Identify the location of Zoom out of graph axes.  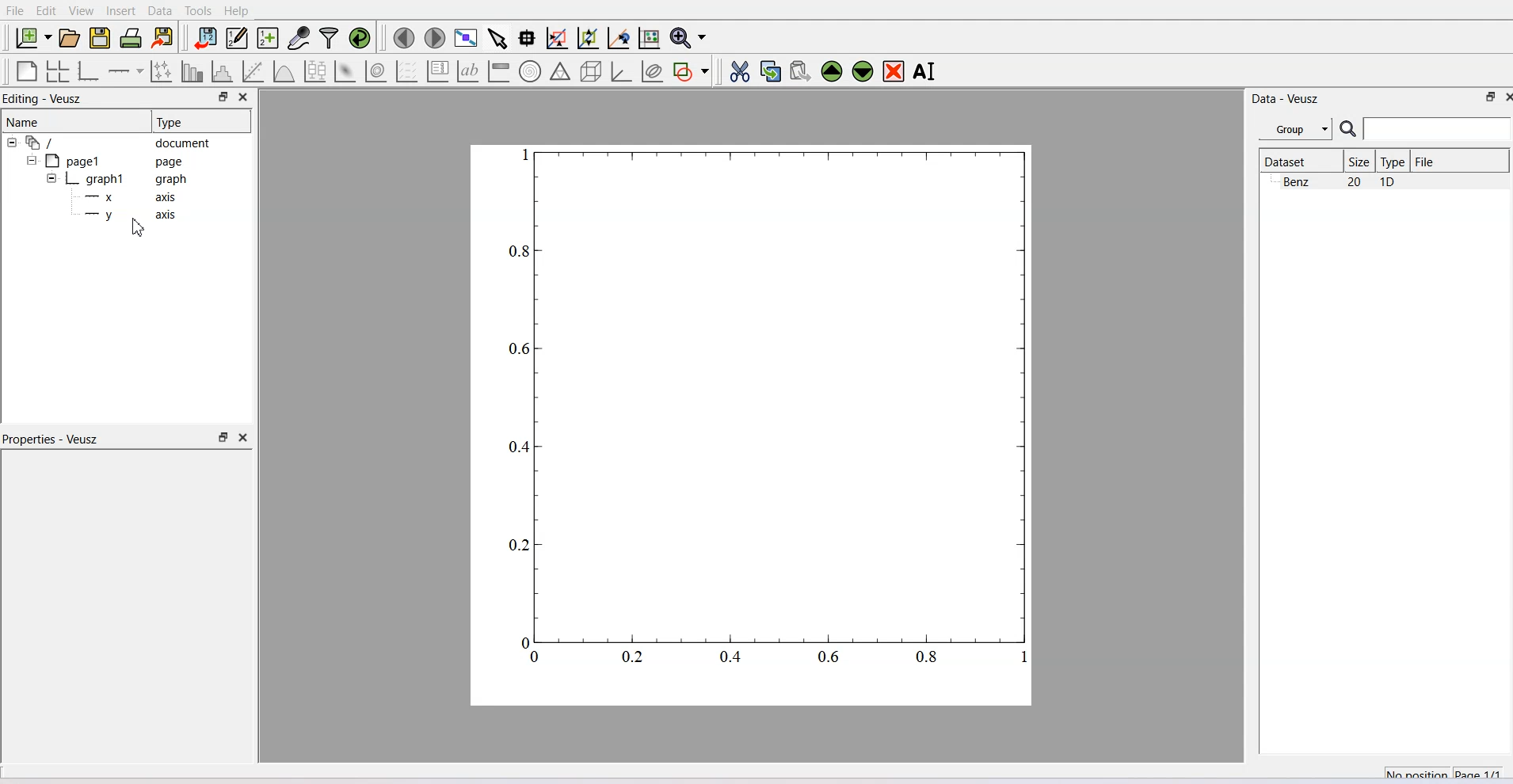
(589, 38).